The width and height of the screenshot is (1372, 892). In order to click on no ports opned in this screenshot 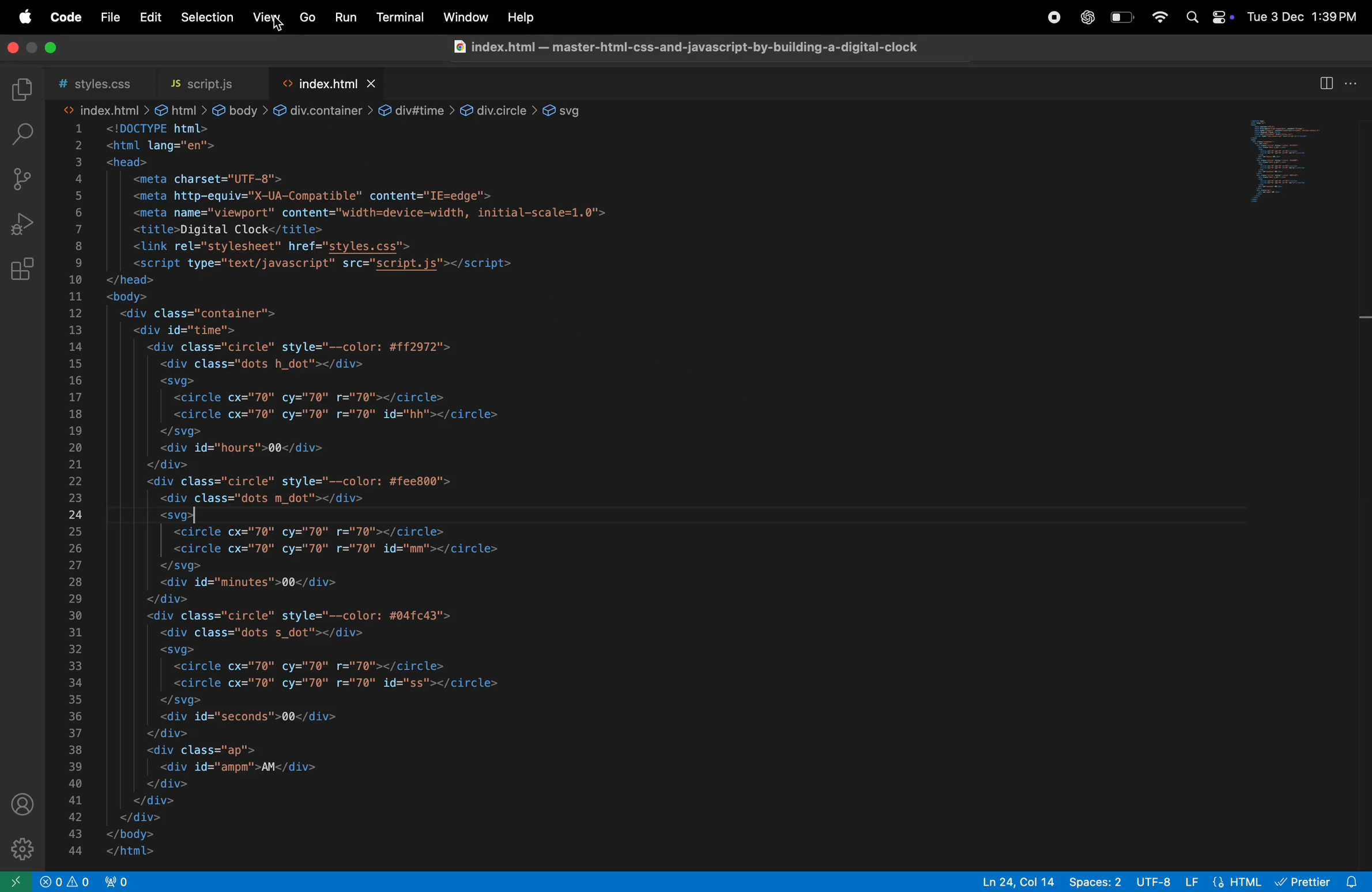, I will do `click(101, 882)`.